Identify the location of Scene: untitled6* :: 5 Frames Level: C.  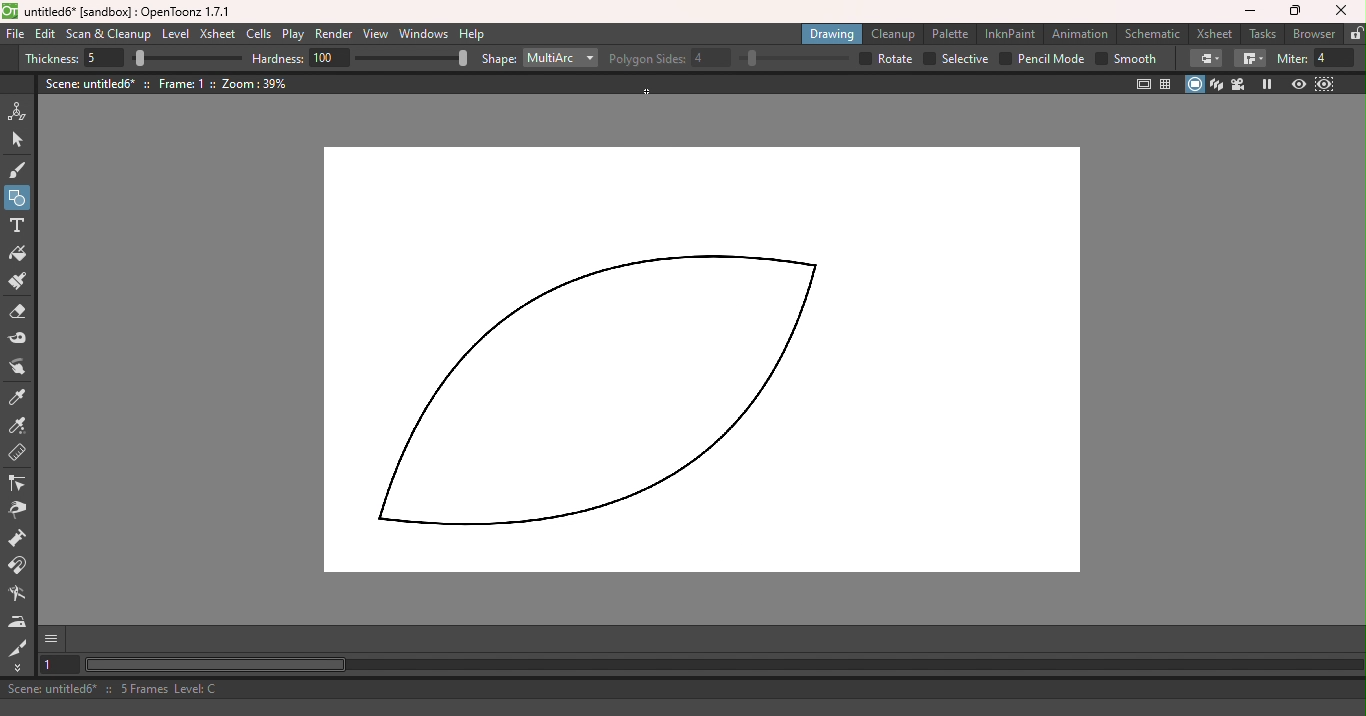
(681, 688).